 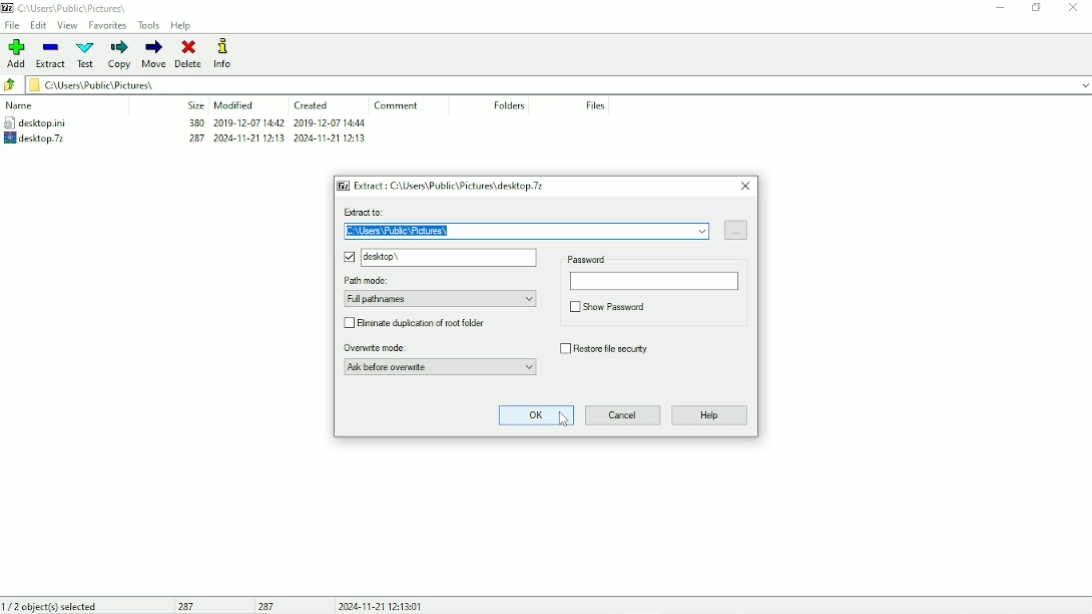 I want to click on 7 zip logo, so click(x=8, y=9).